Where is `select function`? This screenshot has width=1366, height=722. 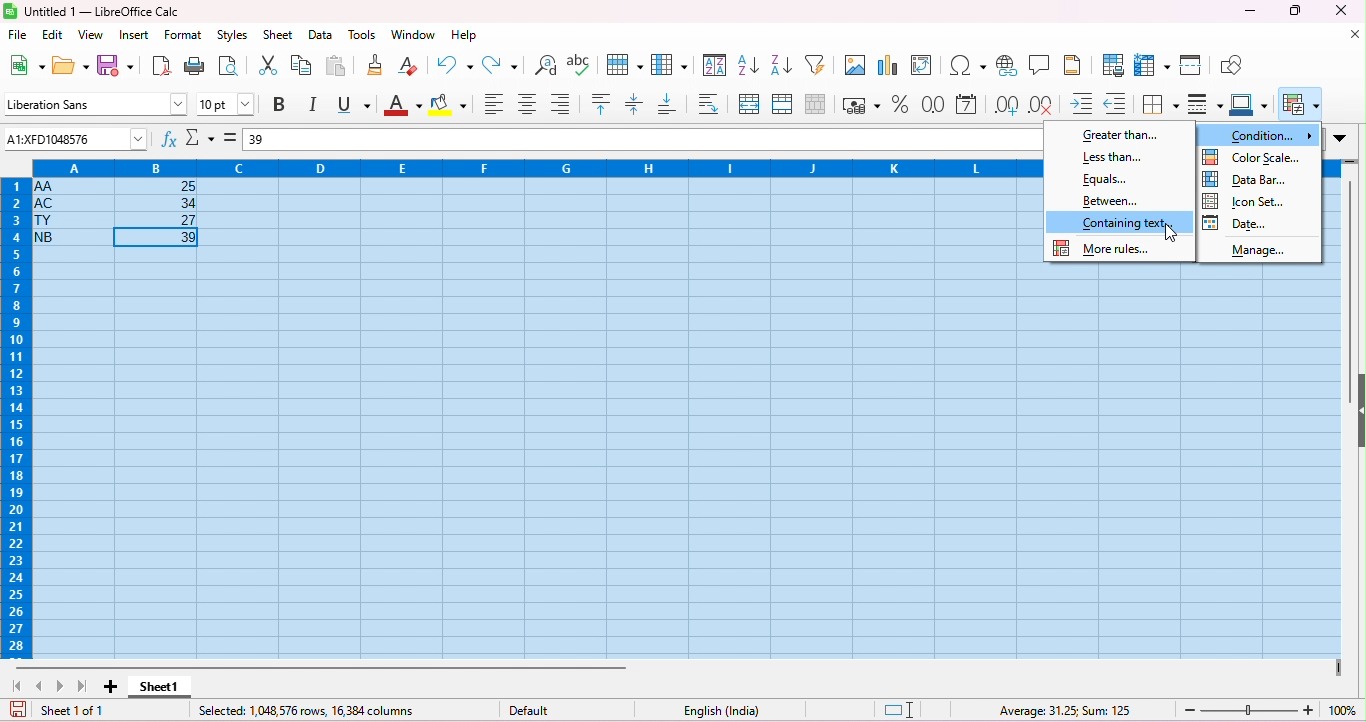 select function is located at coordinates (200, 137).